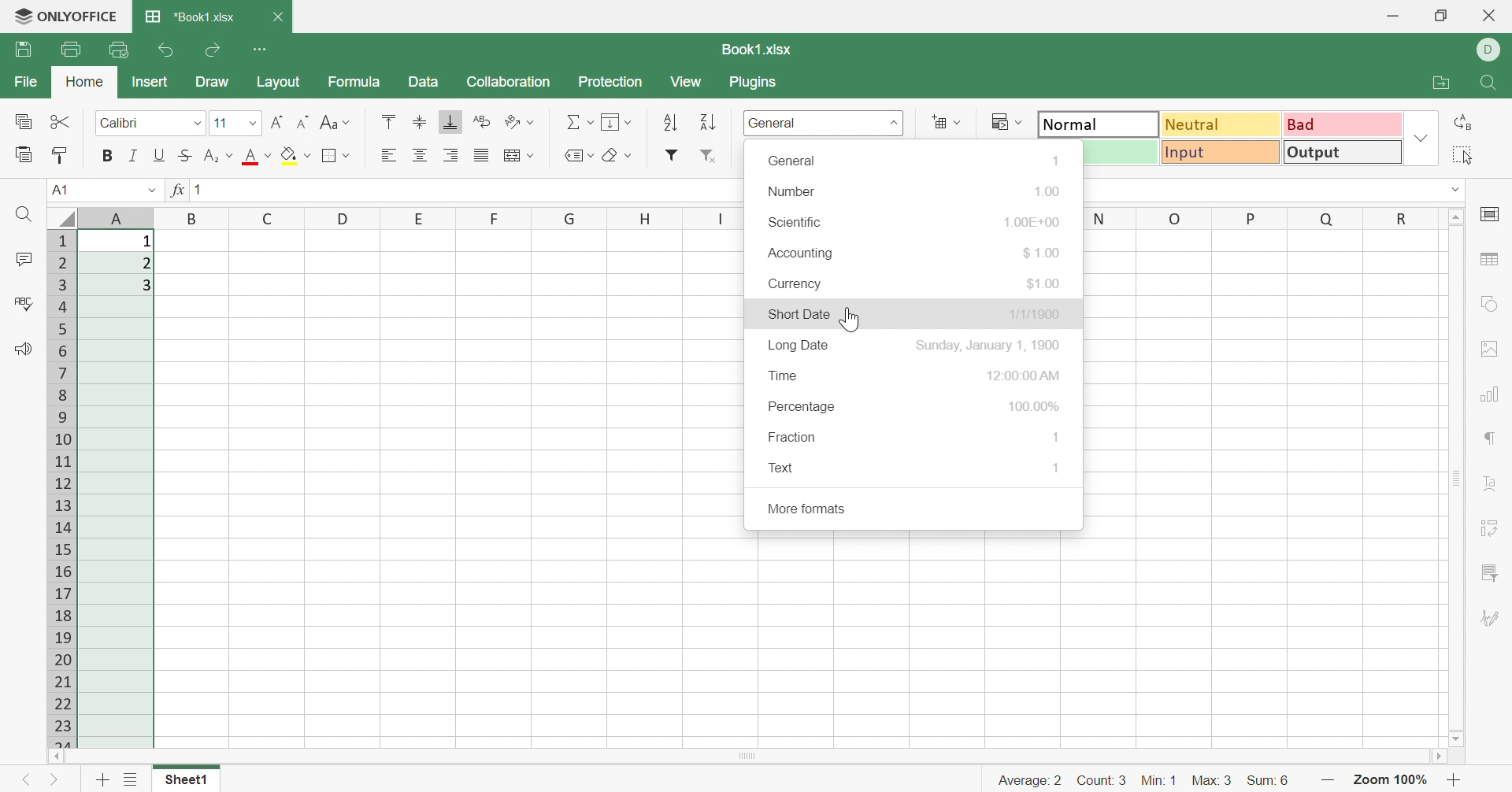 The height and width of the screenshot is (792, 1512). What do you see at coordinates (1493, 572) in the screenshot?
I see `Slicer settings` at bounding box center [1493, 572].